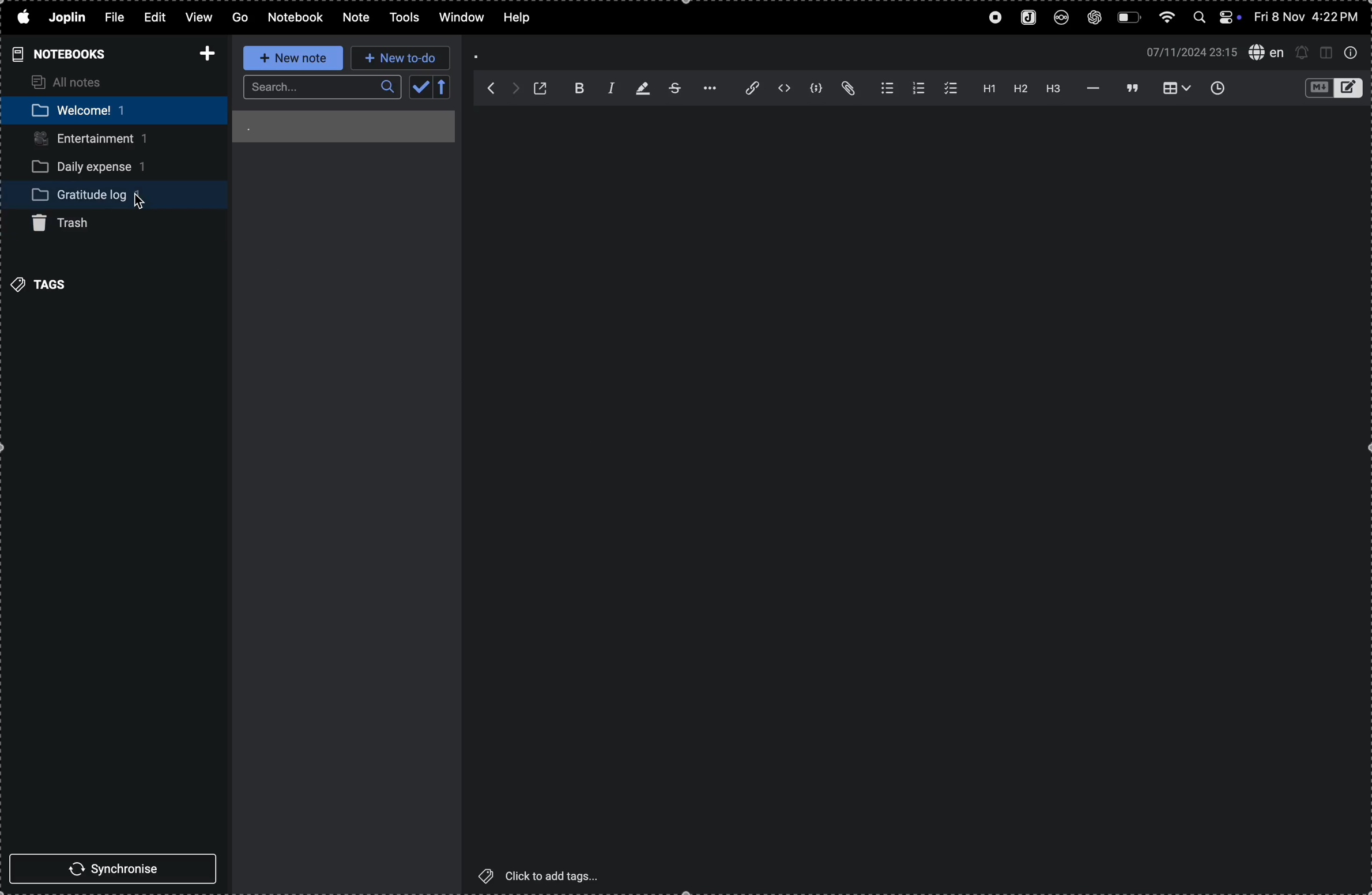 The height and width of the screenshot is (895, 1372). What do you see at coordinates (240, 18) in the screenshot?
I see `Go` at bounding box center [240, 18].